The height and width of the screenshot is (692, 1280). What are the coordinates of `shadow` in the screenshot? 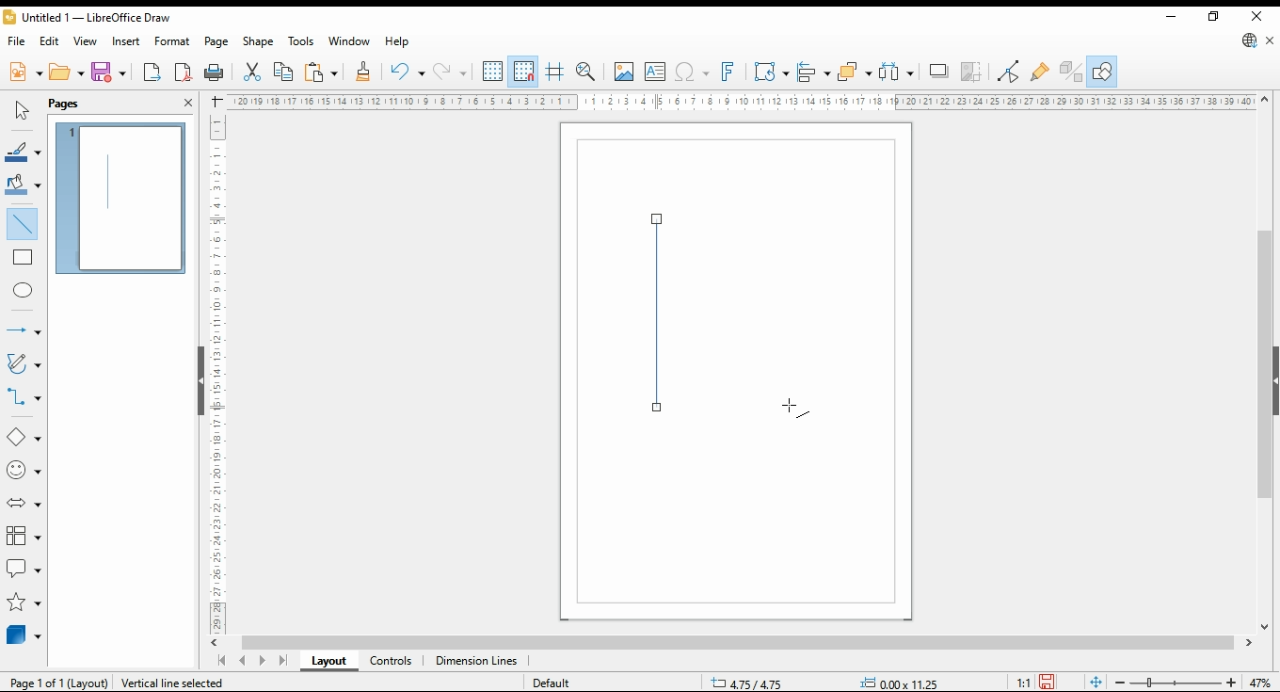 It's located at (940, 71).